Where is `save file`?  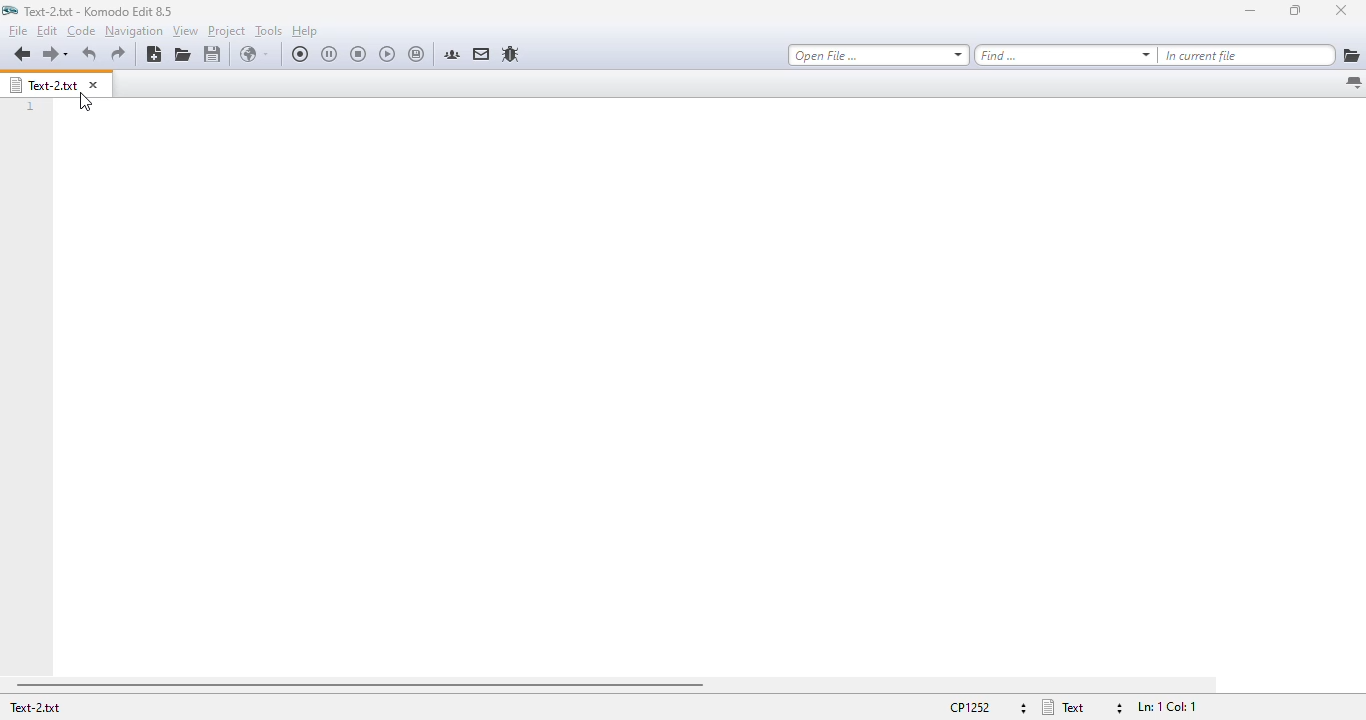
save file is located at coordinates (213, 54).